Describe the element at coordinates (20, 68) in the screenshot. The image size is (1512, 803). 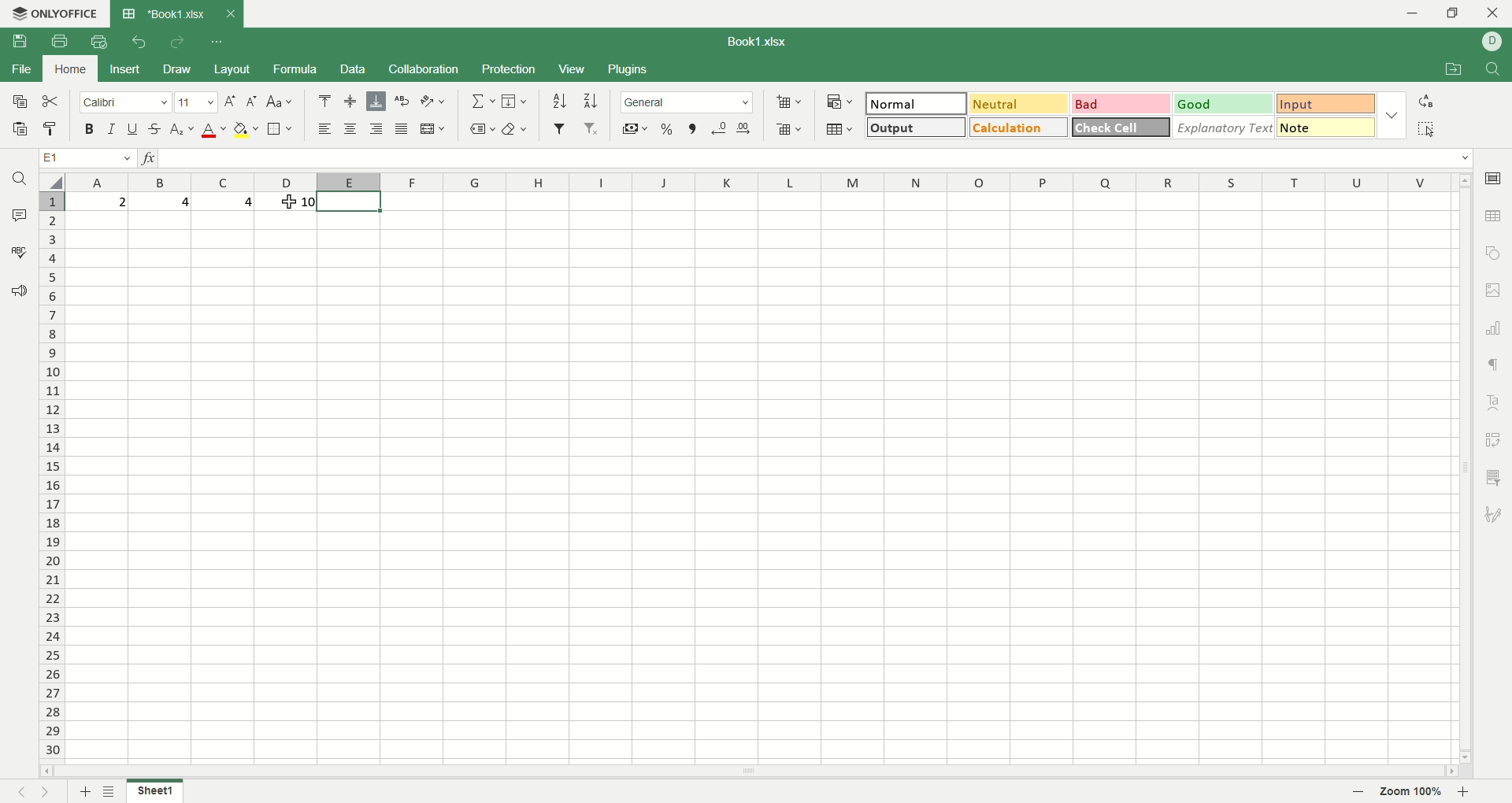
I see `file` at that location.